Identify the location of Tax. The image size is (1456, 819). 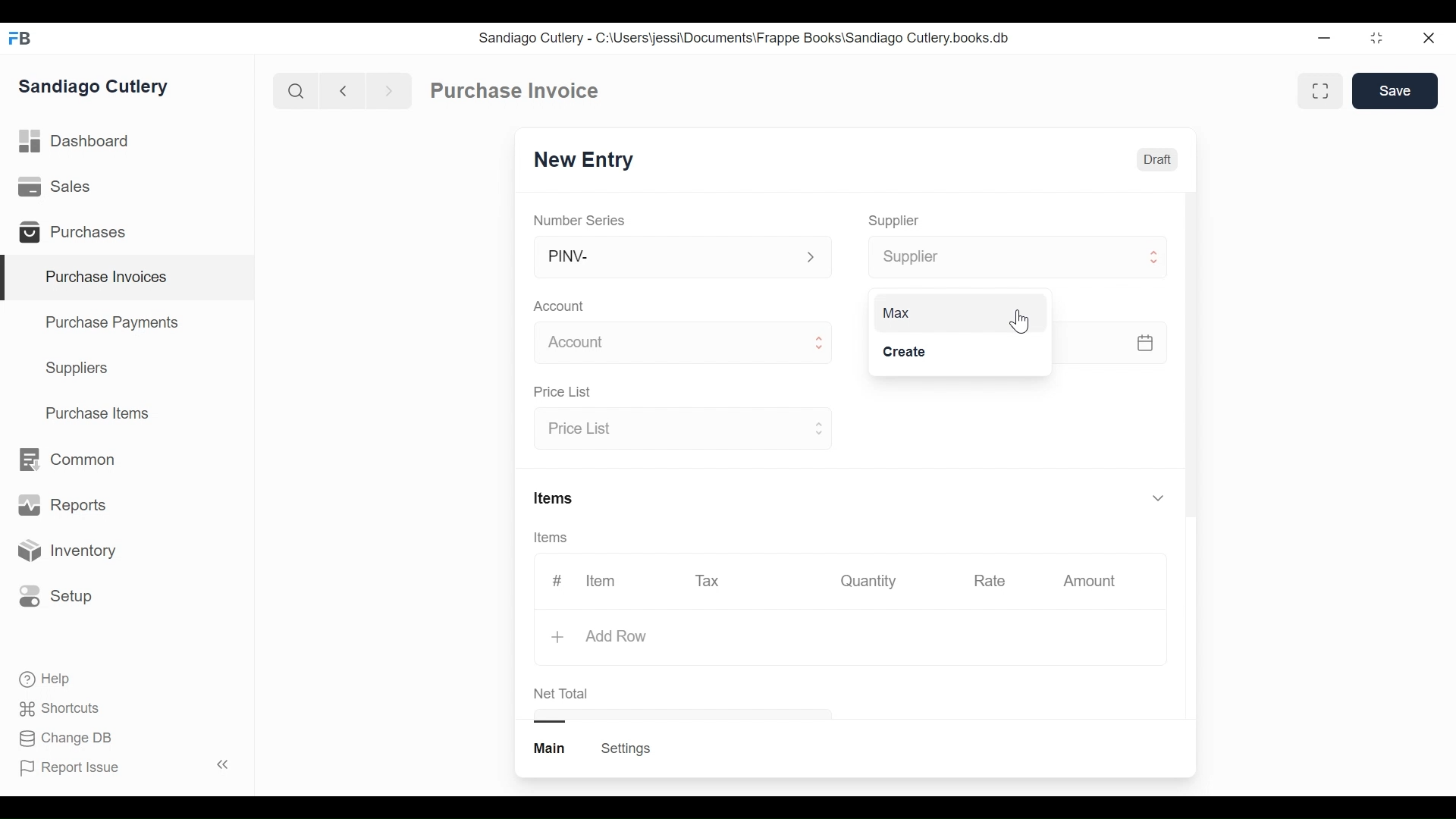
(710, 579).